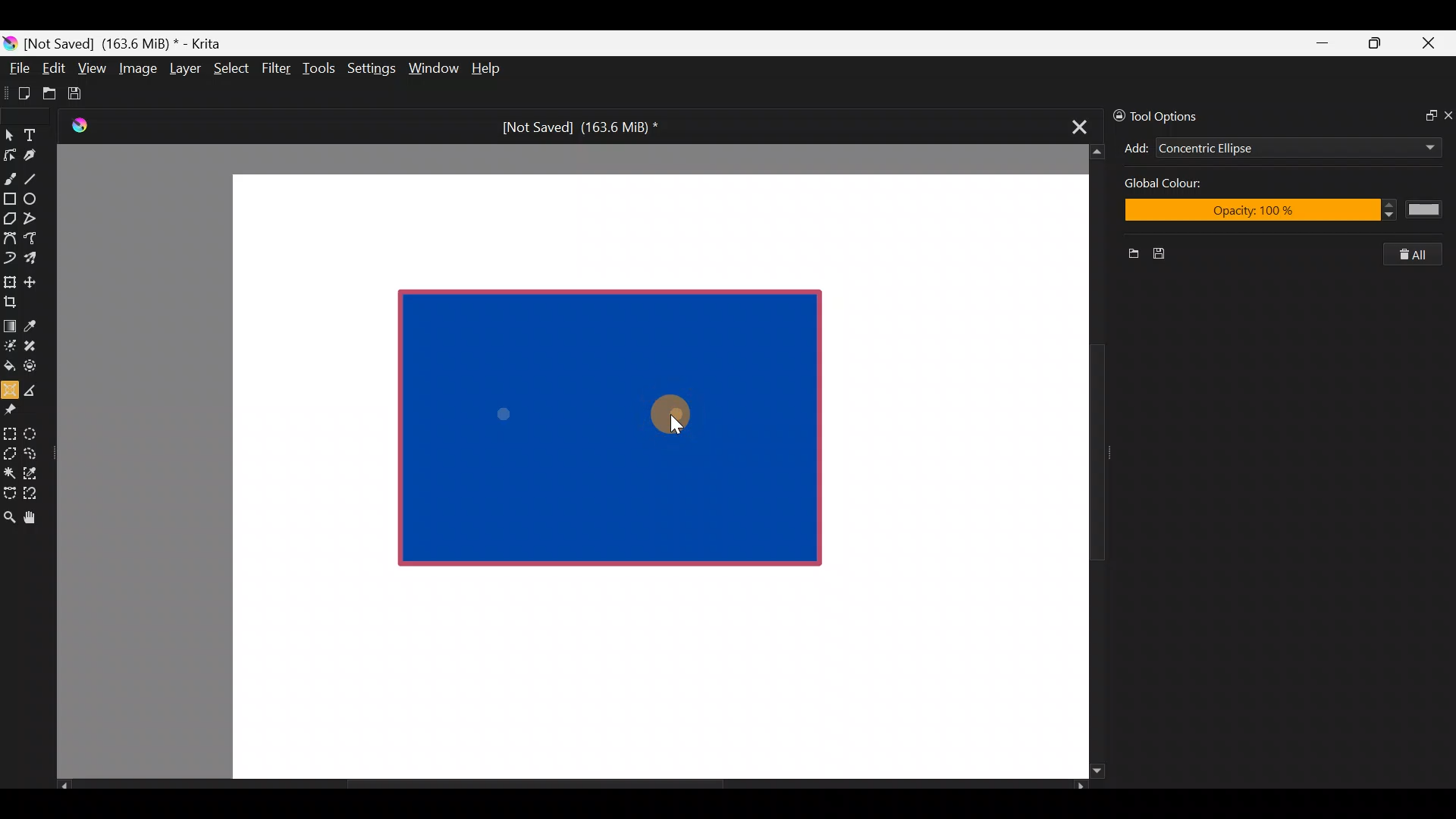 This screenshot has height=819, width=1456. Describe the element at coordinates (36, 257) in the screenshot. I see `Multibrush tool` at that location.